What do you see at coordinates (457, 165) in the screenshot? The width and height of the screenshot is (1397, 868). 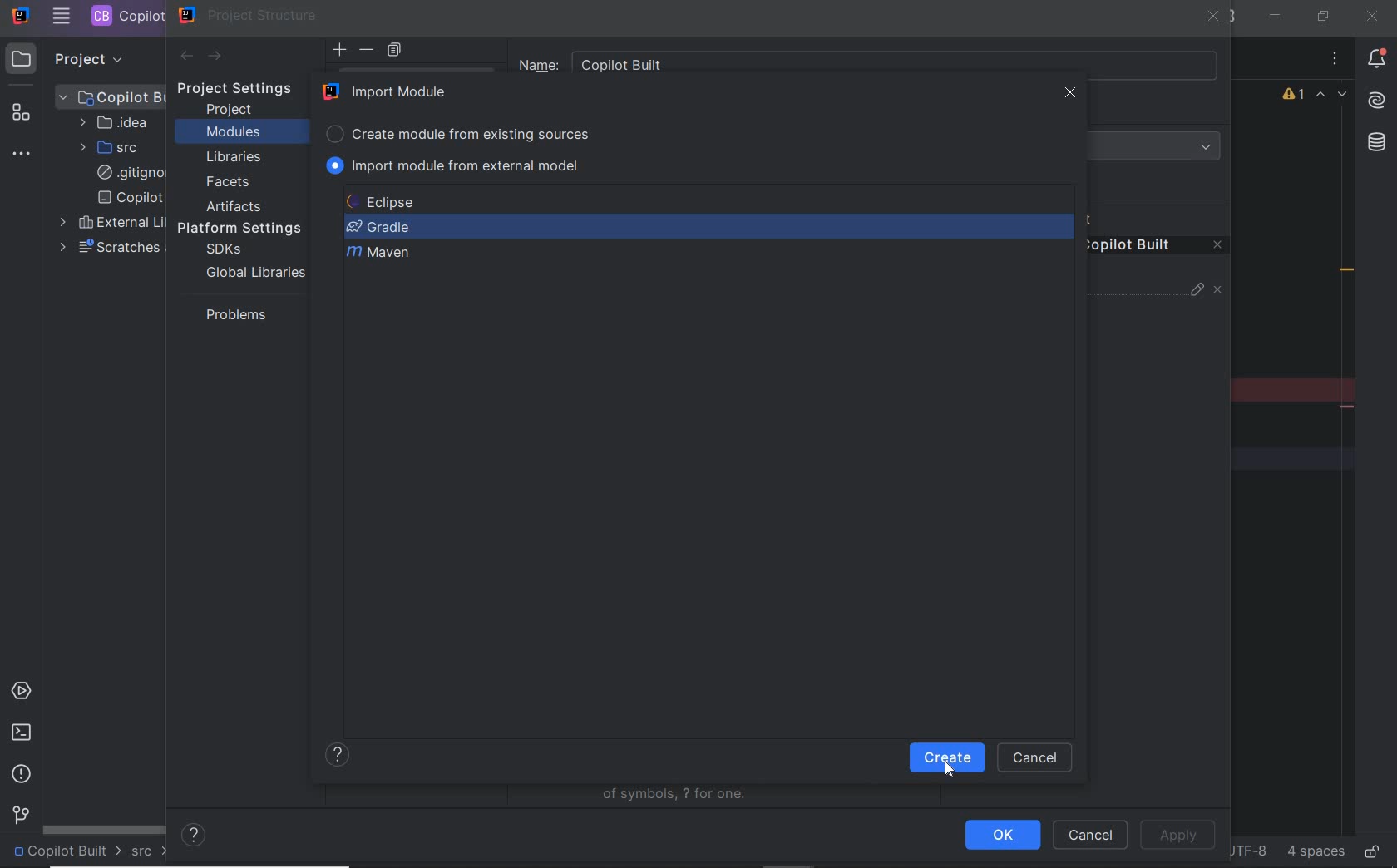 I see `IMPORT MODULE FROM EXTERNAL MODEL` at bounding box center [457, 165].